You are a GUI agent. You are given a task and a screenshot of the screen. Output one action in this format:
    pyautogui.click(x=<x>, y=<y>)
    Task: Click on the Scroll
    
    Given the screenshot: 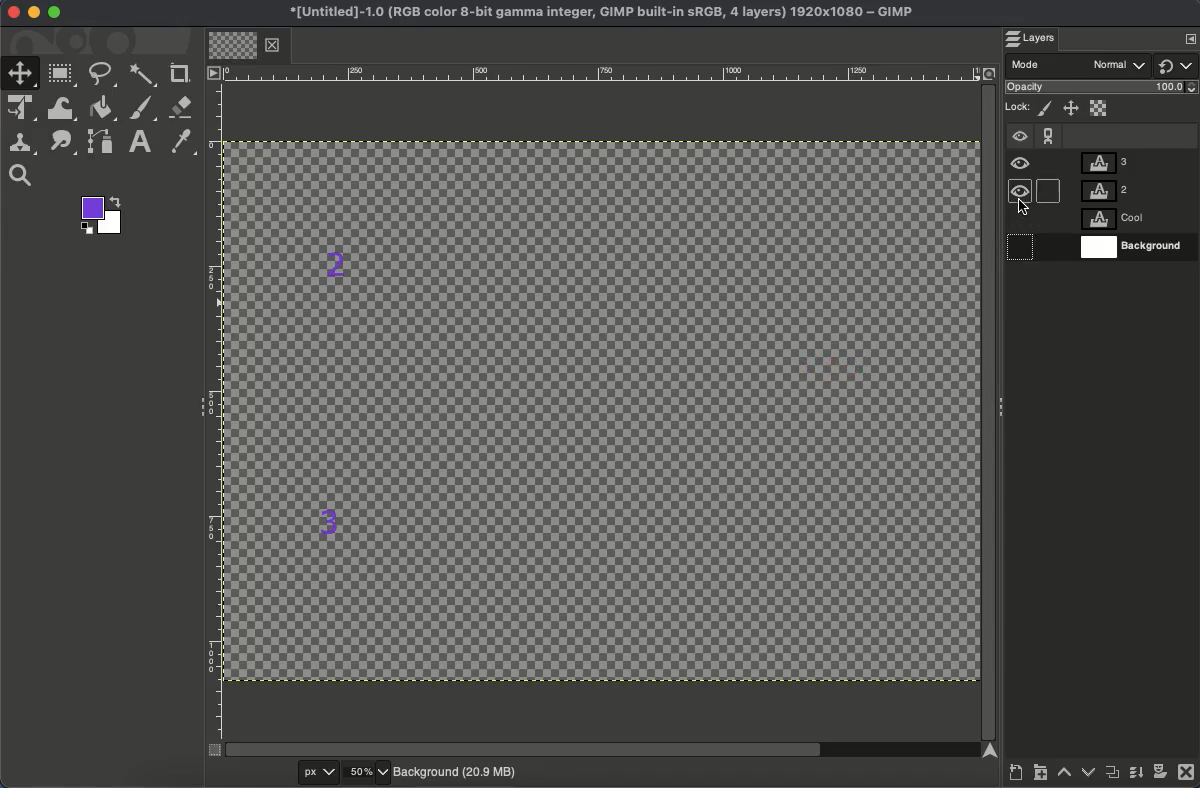 What is the action you would take?
    pyautogui.click(x=988, y=409)
    